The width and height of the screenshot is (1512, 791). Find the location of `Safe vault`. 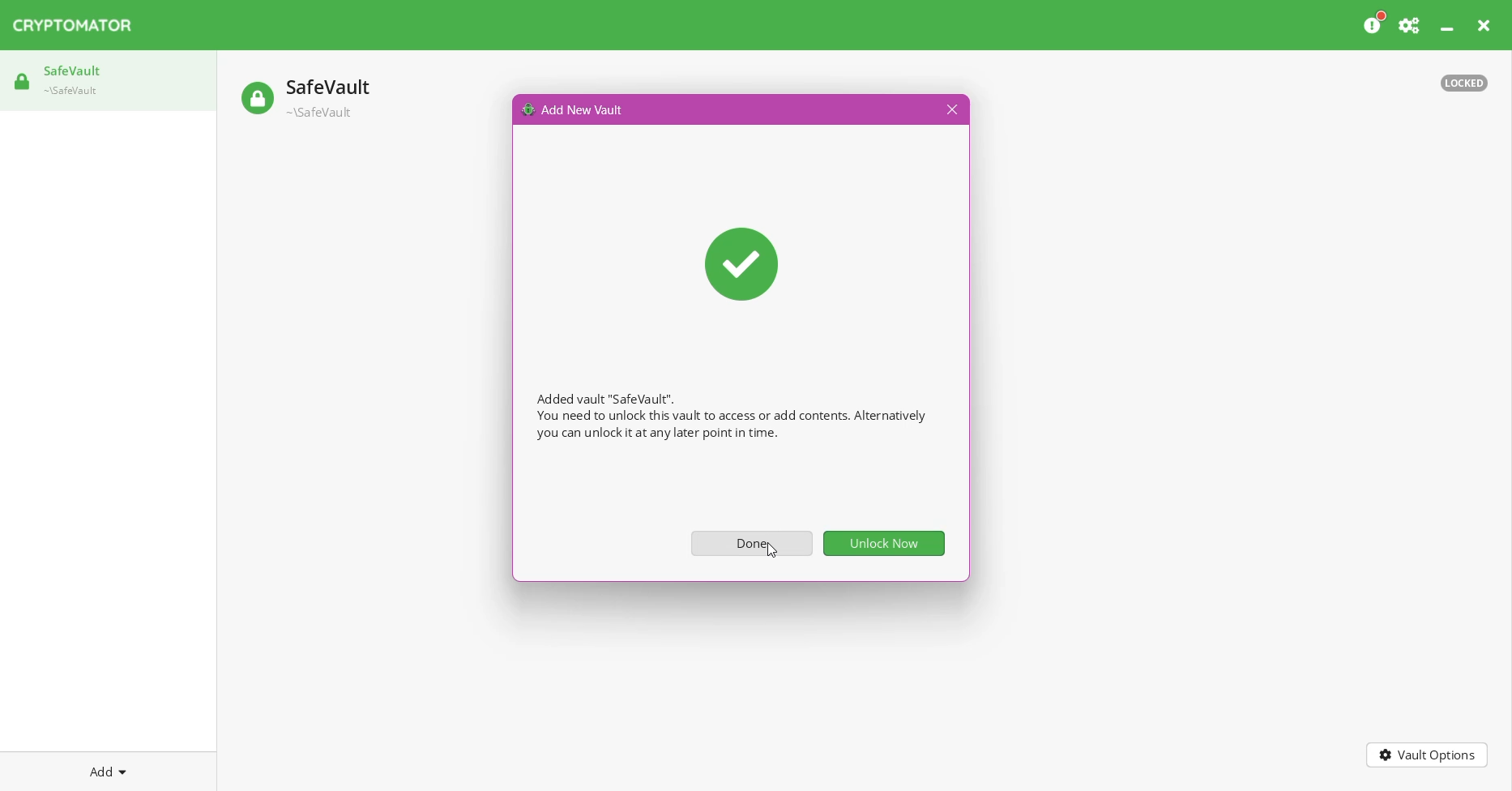

Safe vault is located at coordinates (307, 96).